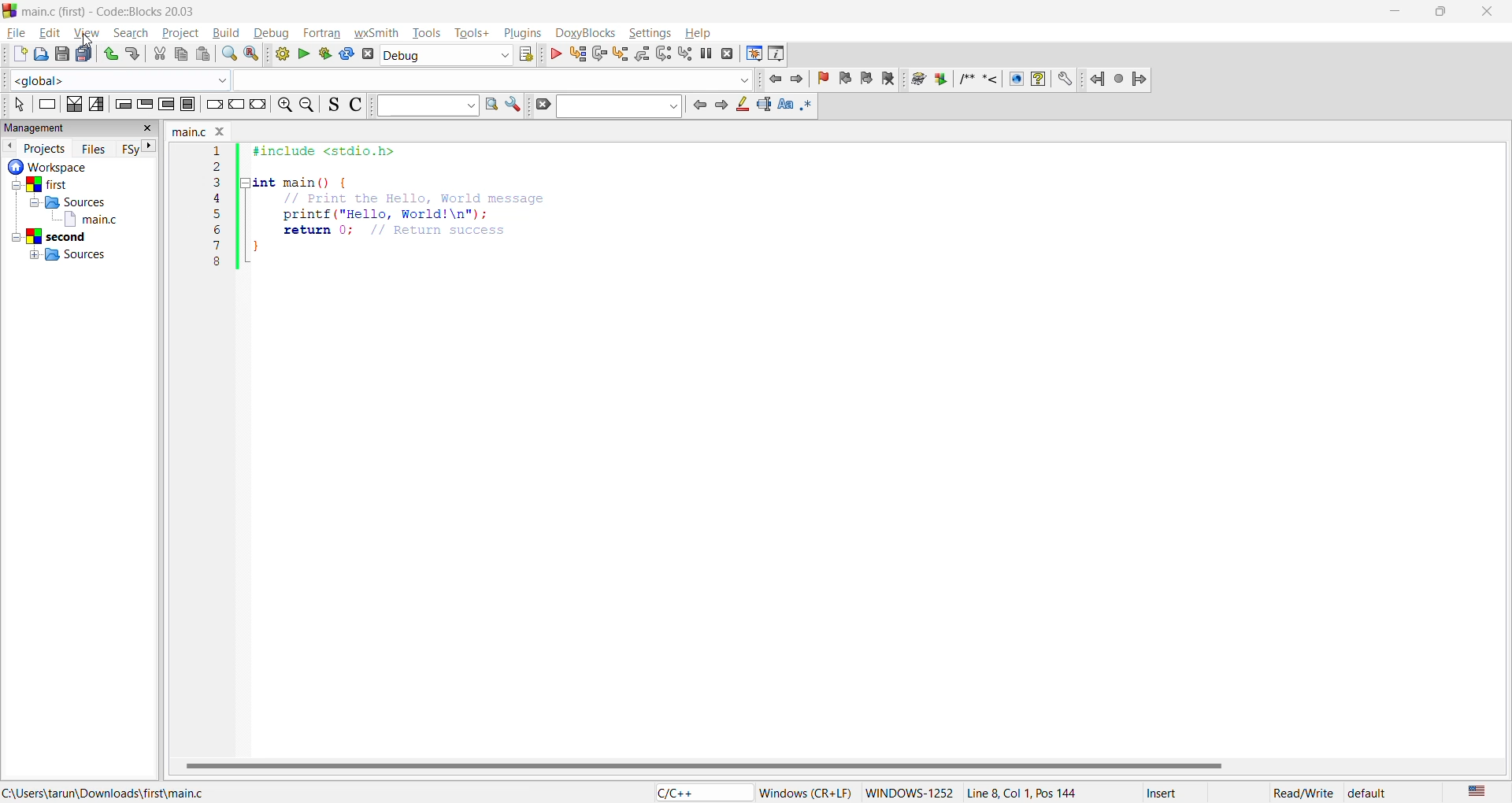 This screenshot has height=803, width=1512. Describe the element at coordinates (688, 54) in the screenshot. I see `step into instruction` at that location.